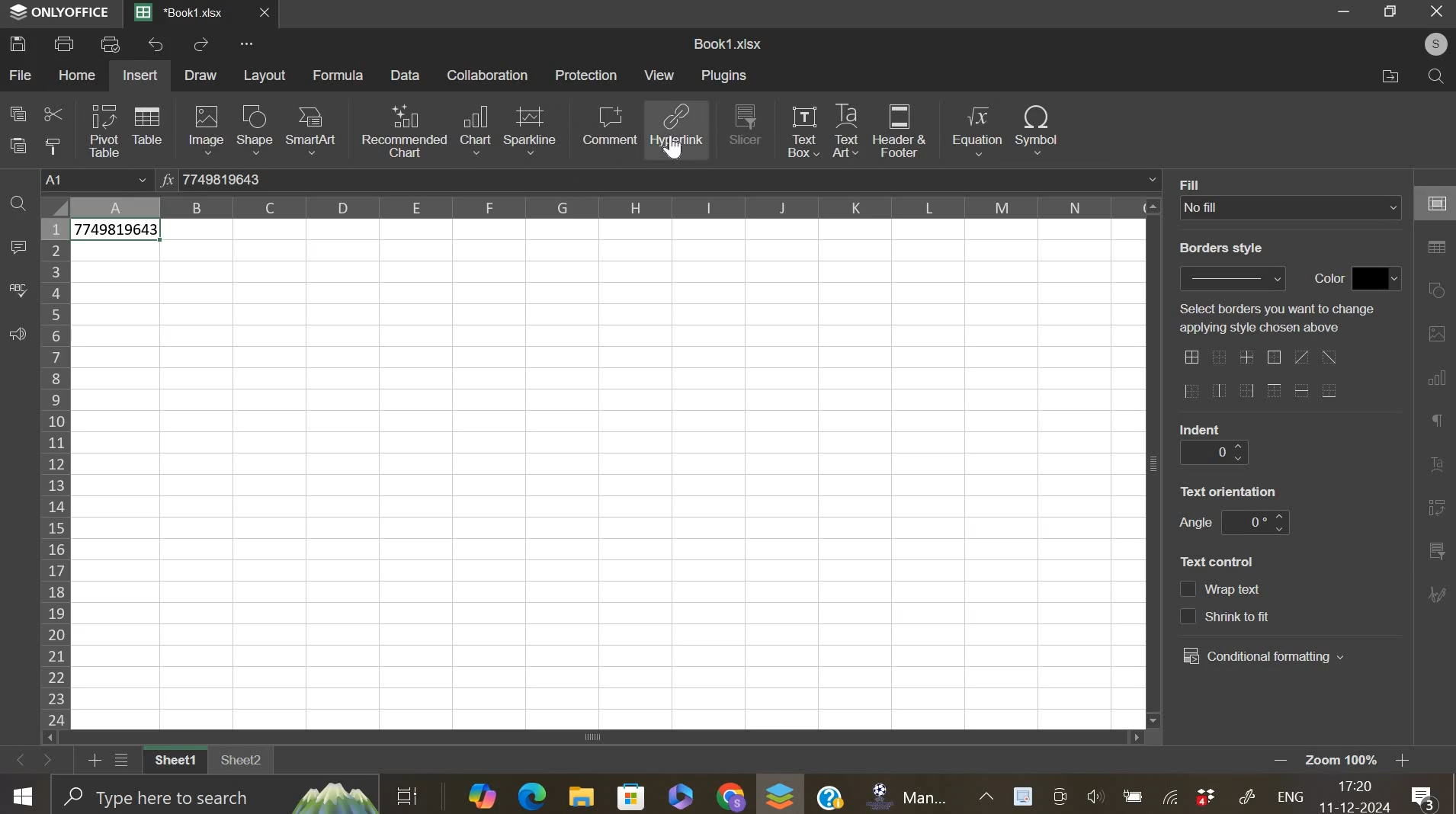 The image size is (1456, 814). What do you see at coordinates (1217, 562) in the screenshot?
I see `text` at bounding box center [1217, 562].